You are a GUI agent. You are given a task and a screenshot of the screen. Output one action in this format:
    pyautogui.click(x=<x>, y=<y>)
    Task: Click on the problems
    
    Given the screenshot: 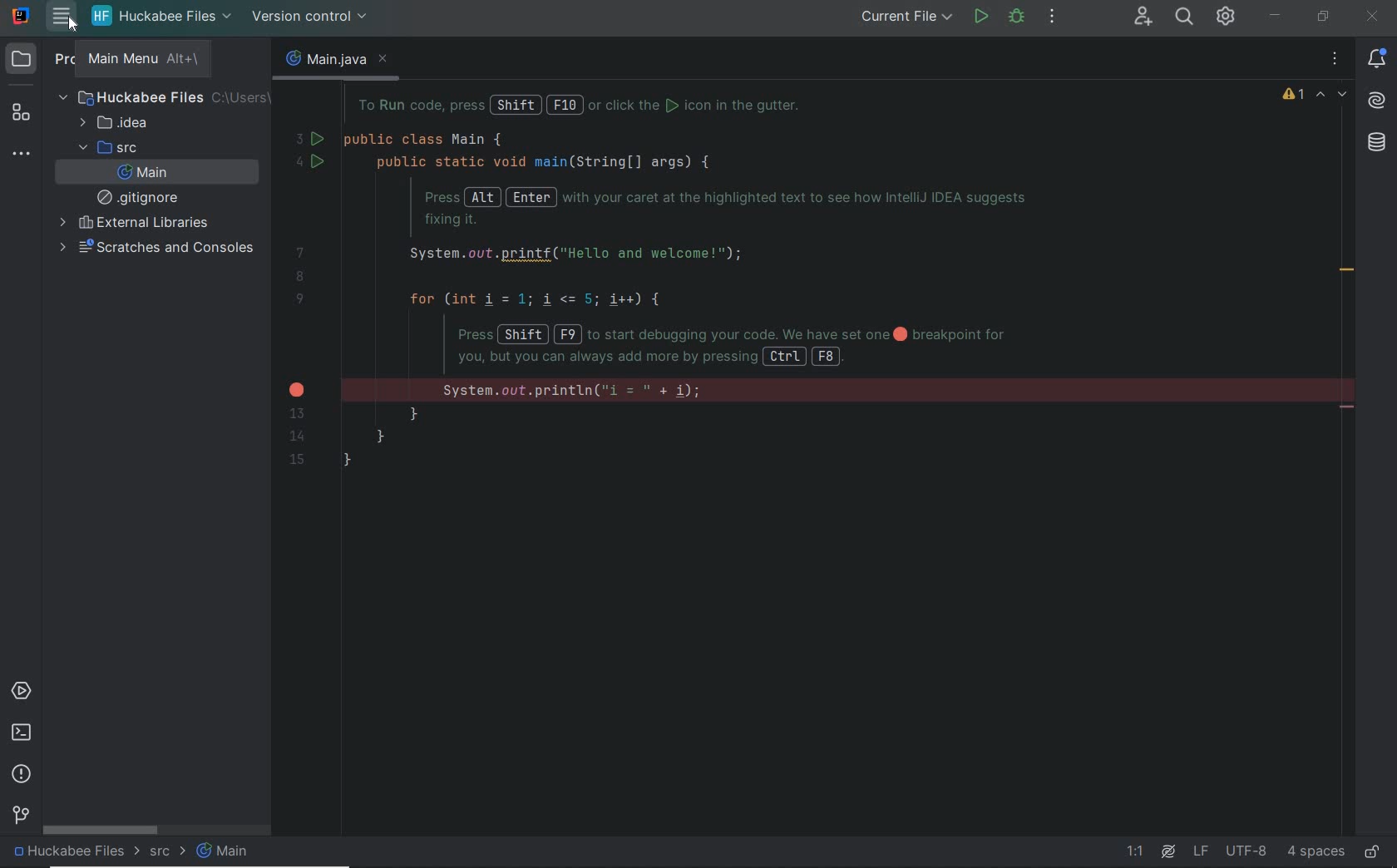 What is the action you would take?
    pyautogui.click(x=22, y=772)
    